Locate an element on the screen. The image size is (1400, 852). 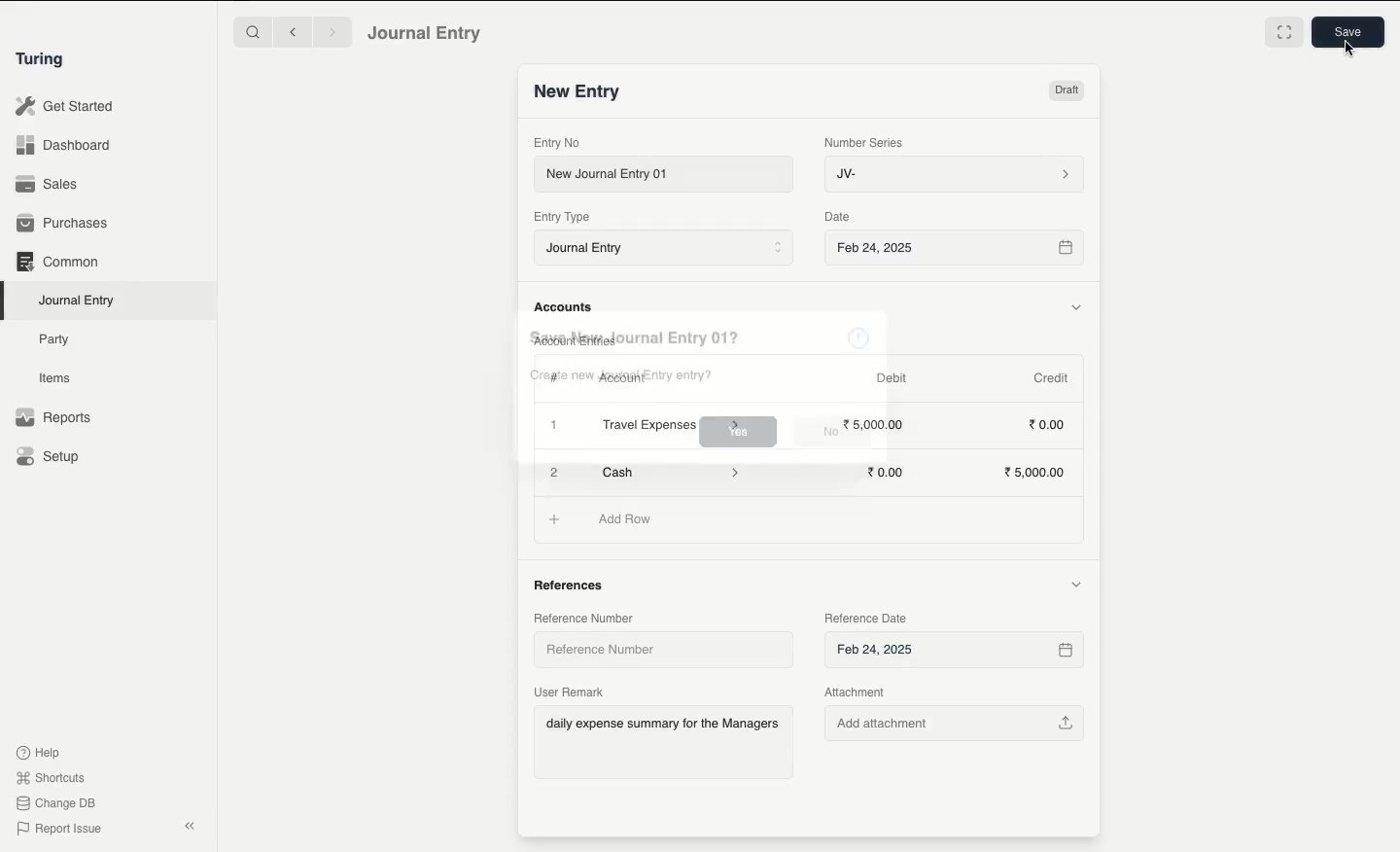
Entry Type is located at coordinates (562, 217).